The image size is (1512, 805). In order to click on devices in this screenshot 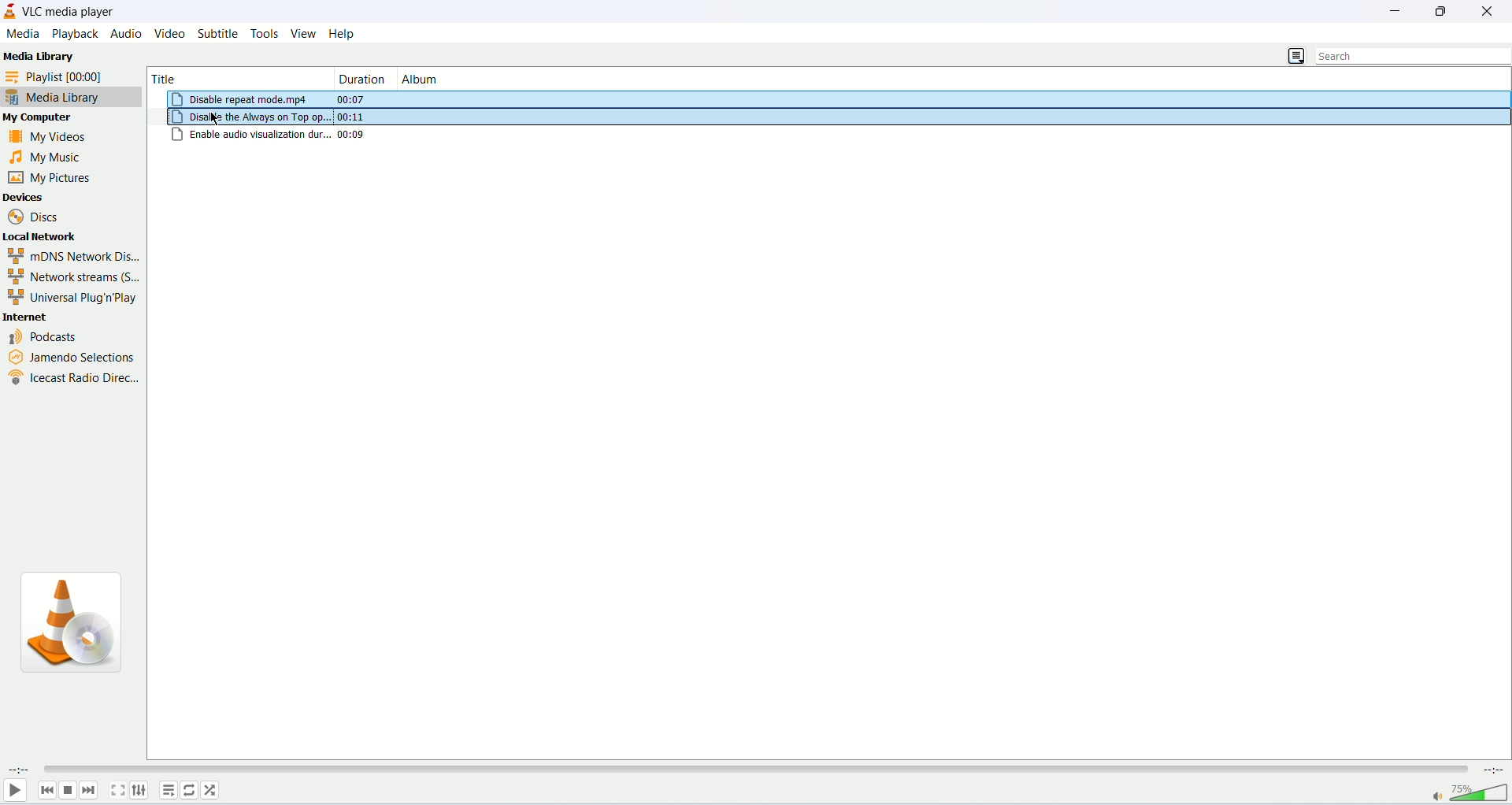, I will do `click(56, 196)`.